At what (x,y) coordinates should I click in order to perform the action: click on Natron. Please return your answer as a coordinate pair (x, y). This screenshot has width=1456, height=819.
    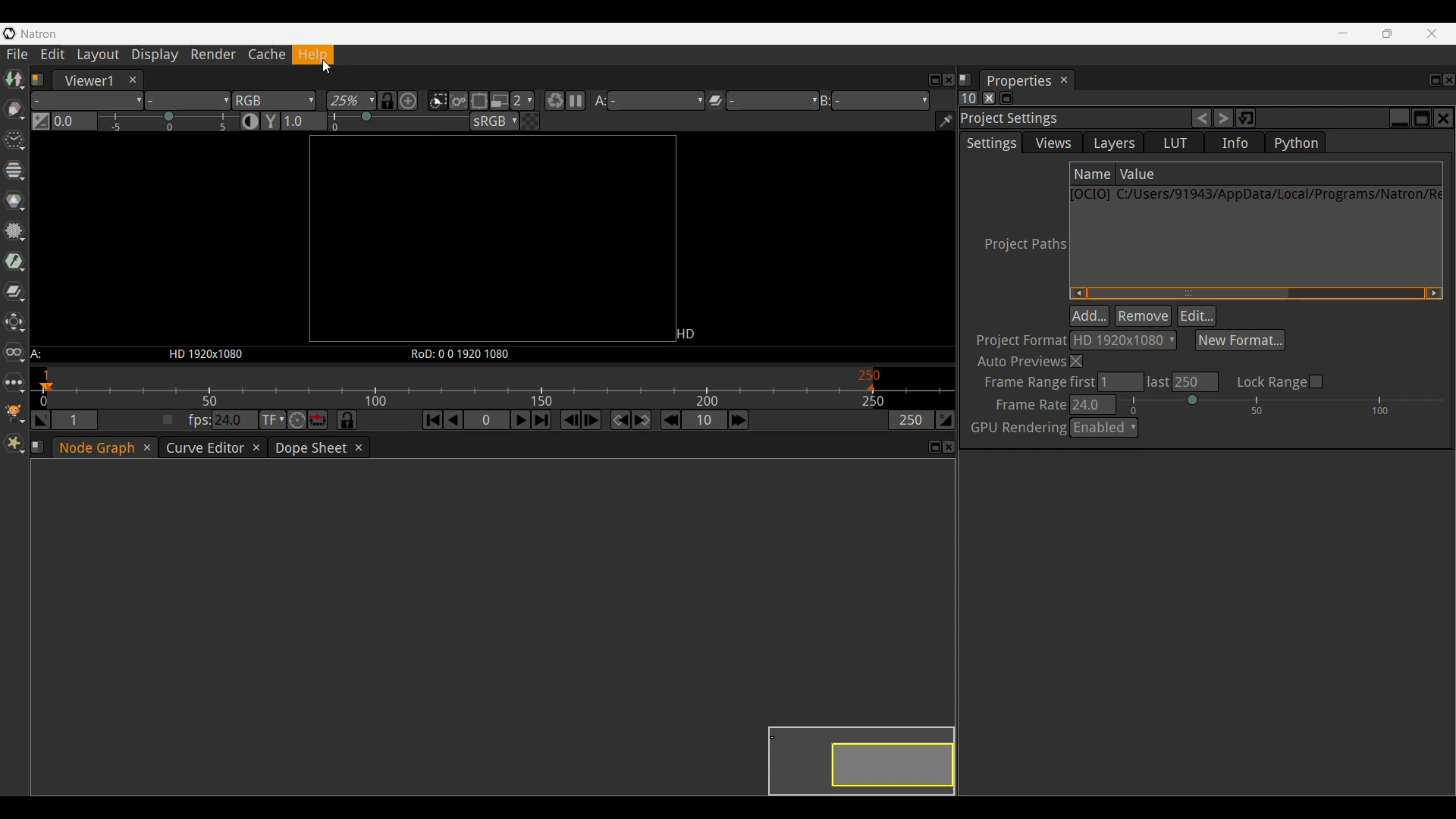
    Looking at the image, I should click on (39, 33).